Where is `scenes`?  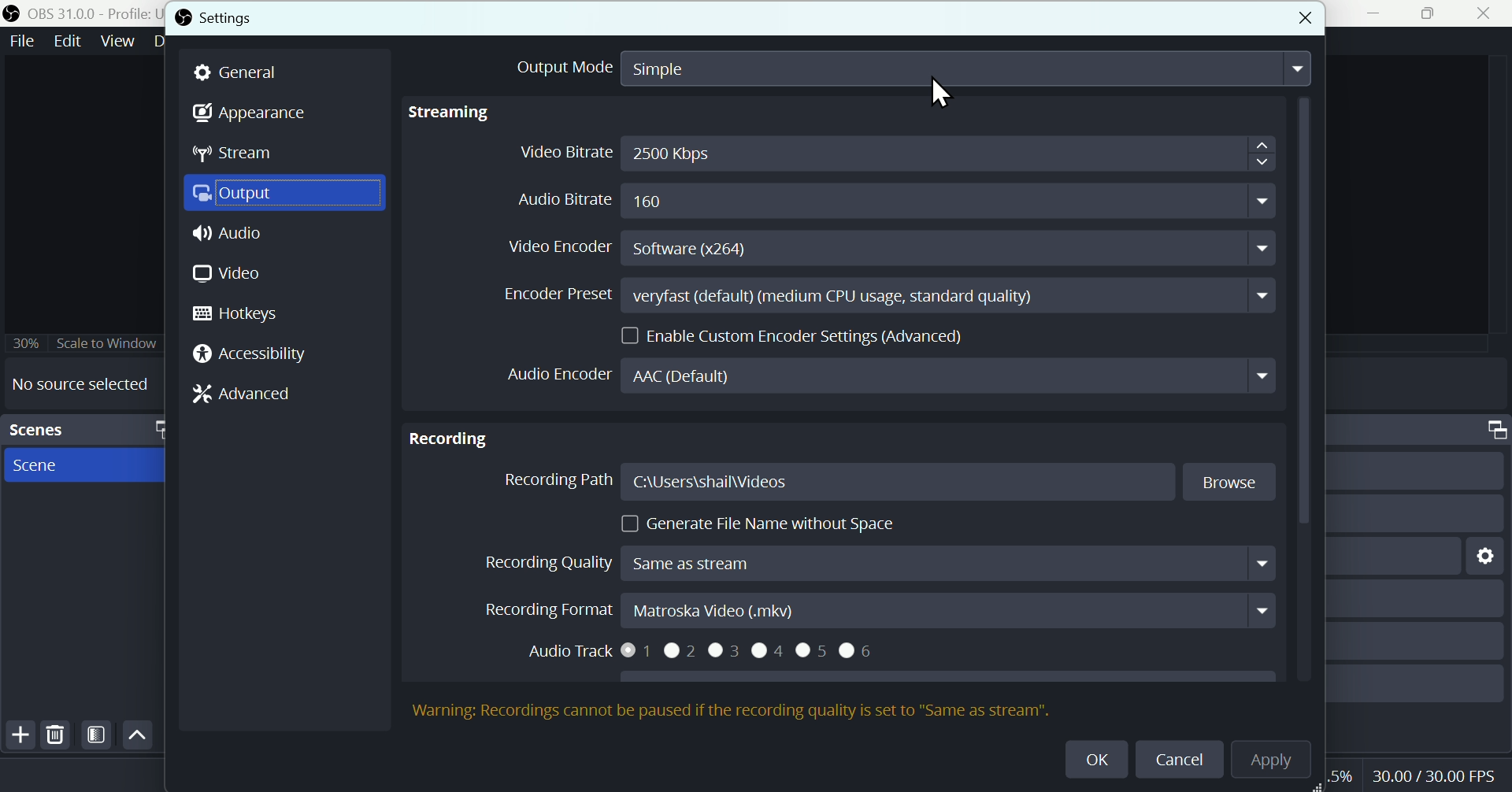 scenes is located at coordinates (82, 429).